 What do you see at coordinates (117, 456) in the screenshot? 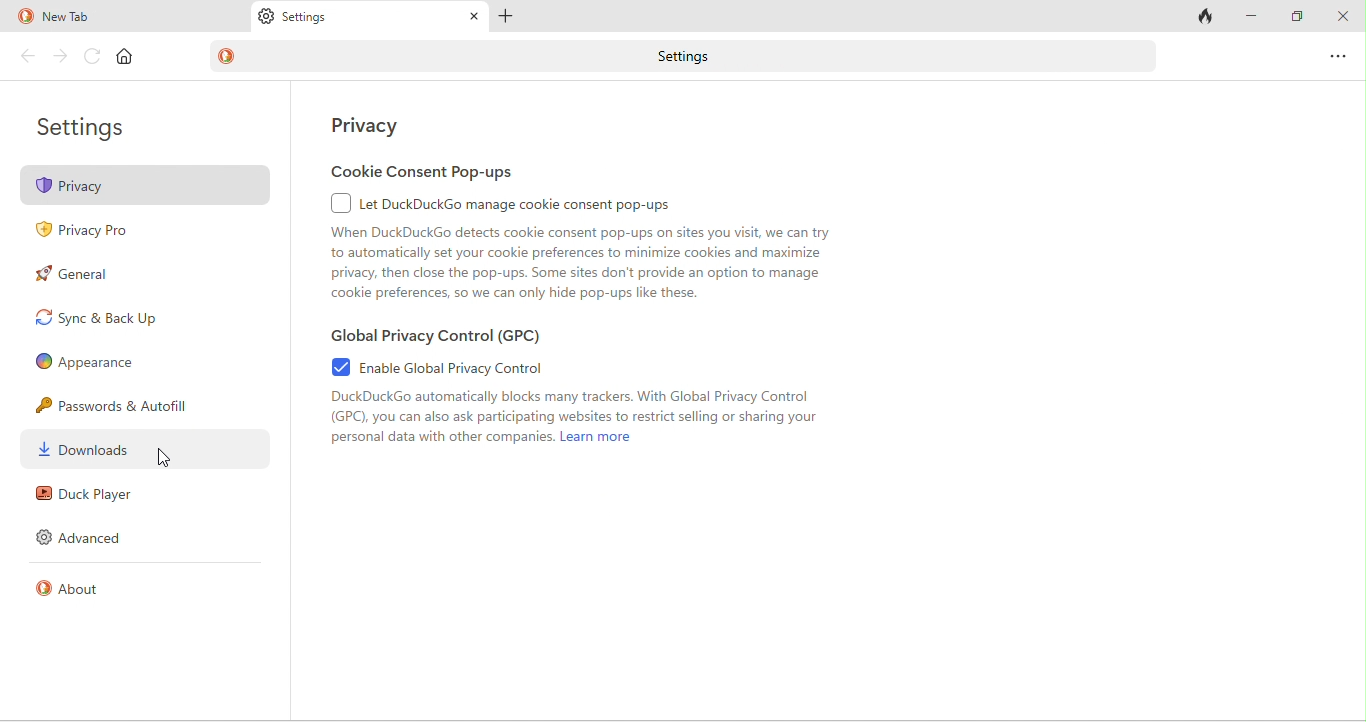
I see `downloads` at bounding box center [117, 456].